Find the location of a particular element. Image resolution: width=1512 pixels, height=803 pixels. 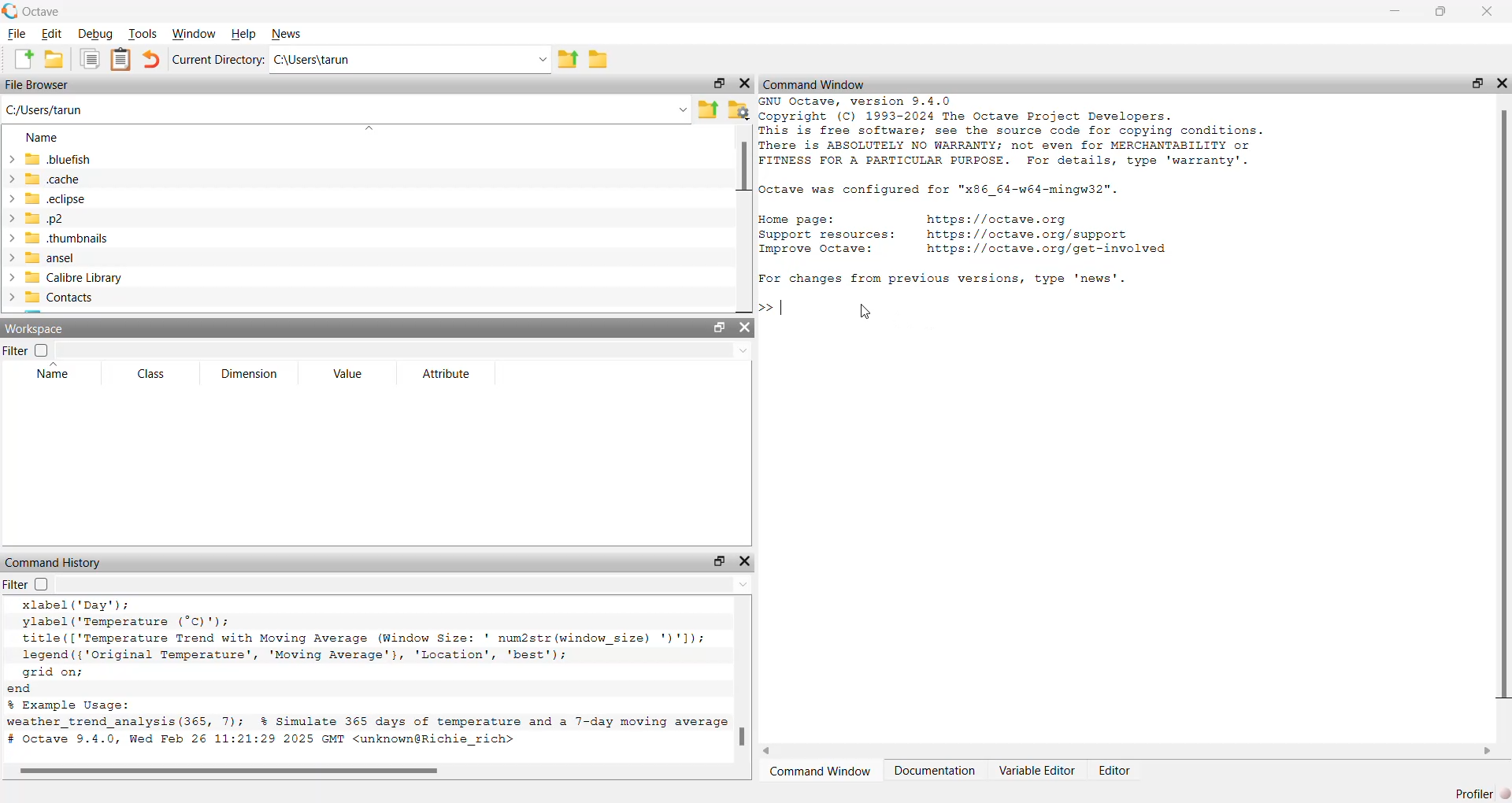

maximise is located at coordinates (1443, 15).